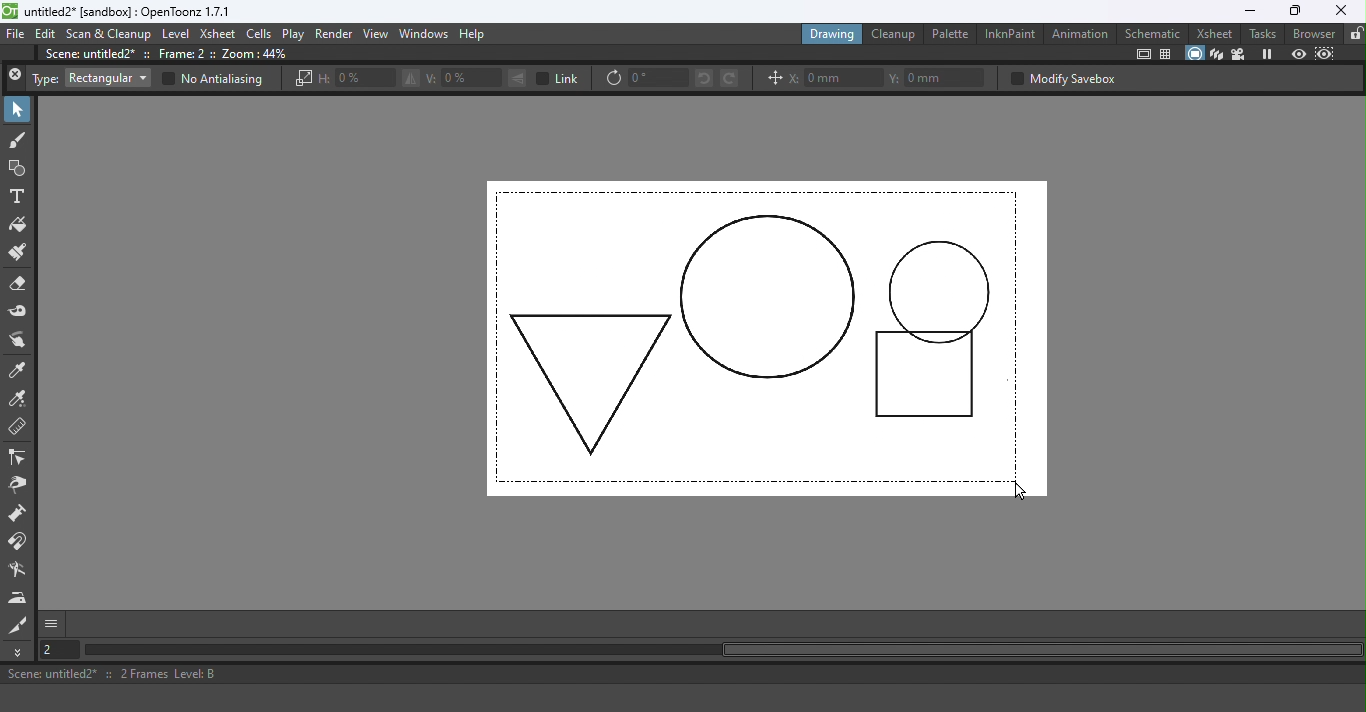 Image resolution: width=1366 pixels, height=712 pixels. I want to click on Rectangular, so click(107, 78).